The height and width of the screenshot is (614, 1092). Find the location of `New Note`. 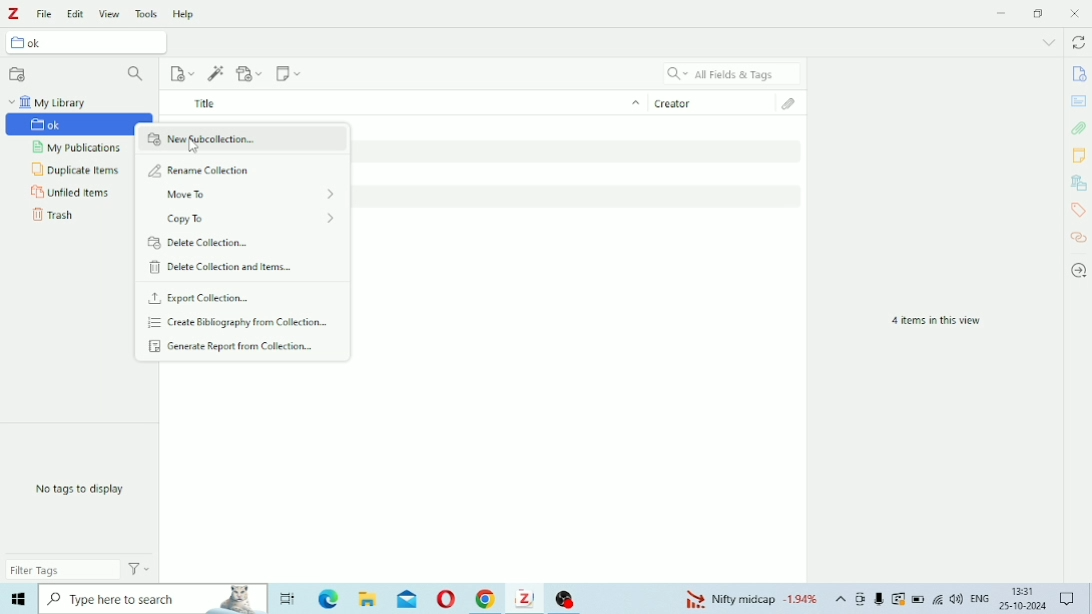

New Note is located at coordinates (289, 73).